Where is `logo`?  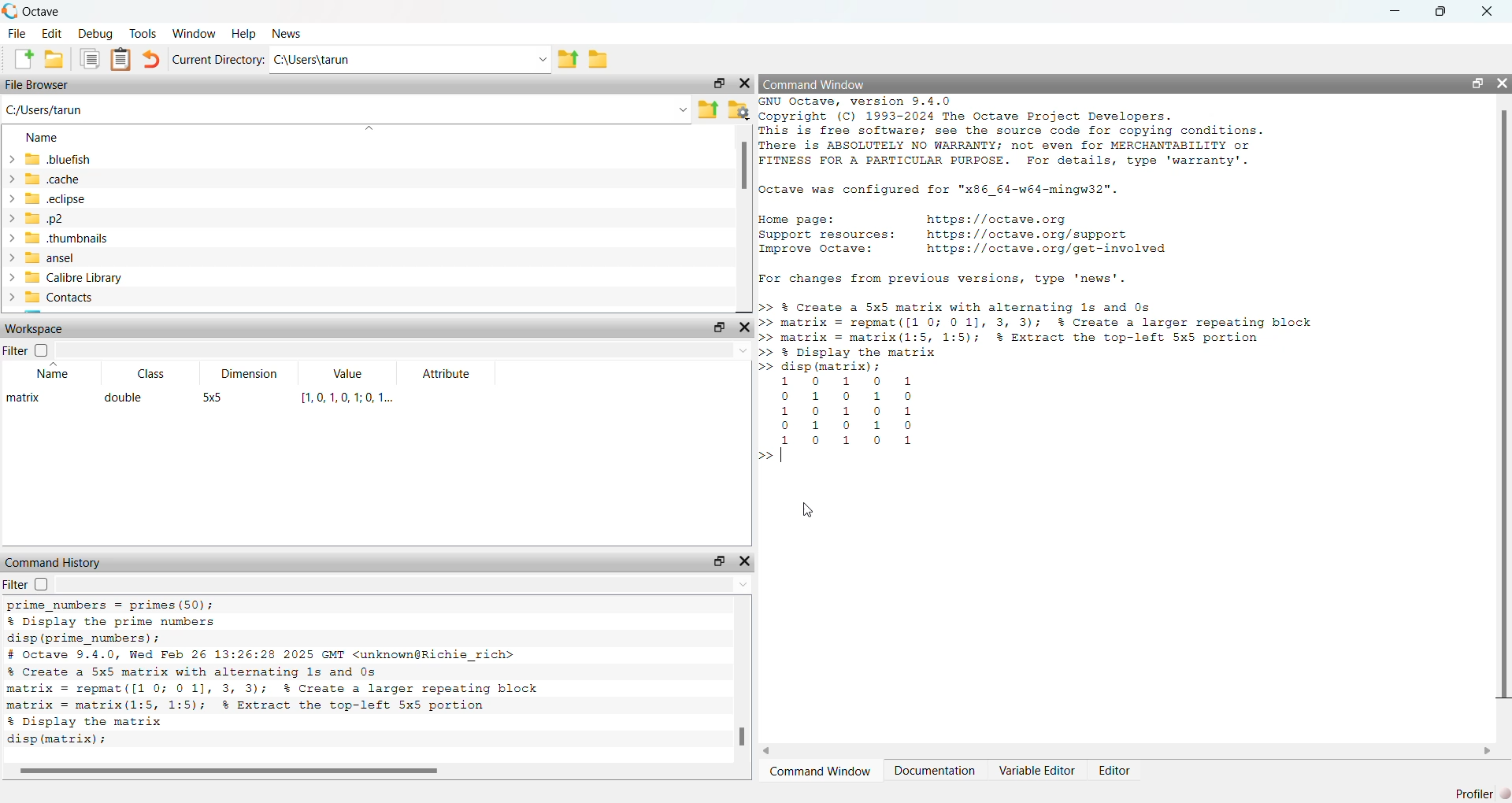
logo is located at coordinates (12, 9).